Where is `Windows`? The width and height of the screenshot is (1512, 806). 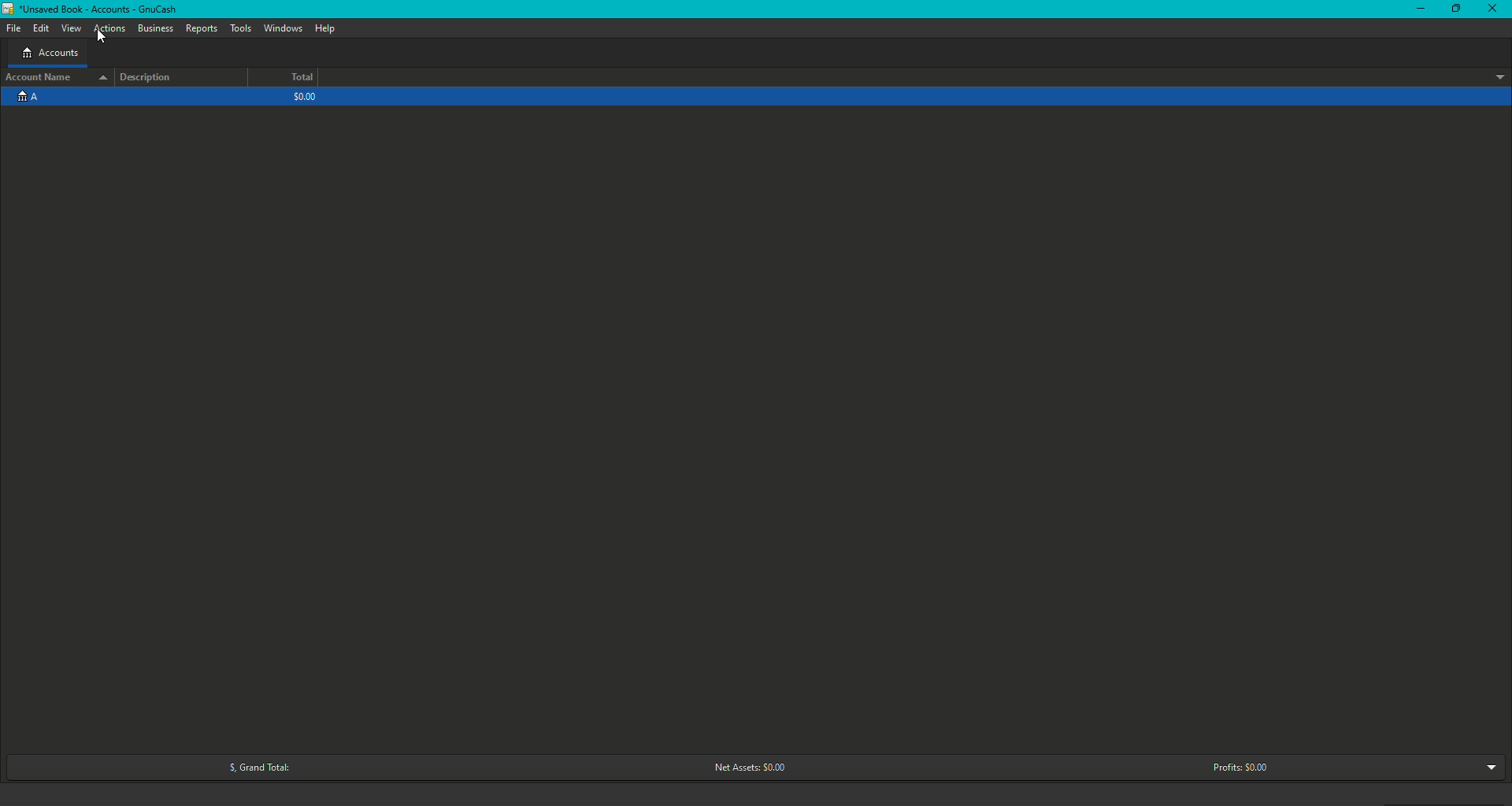
Windows is located at coordinates (283, 29).